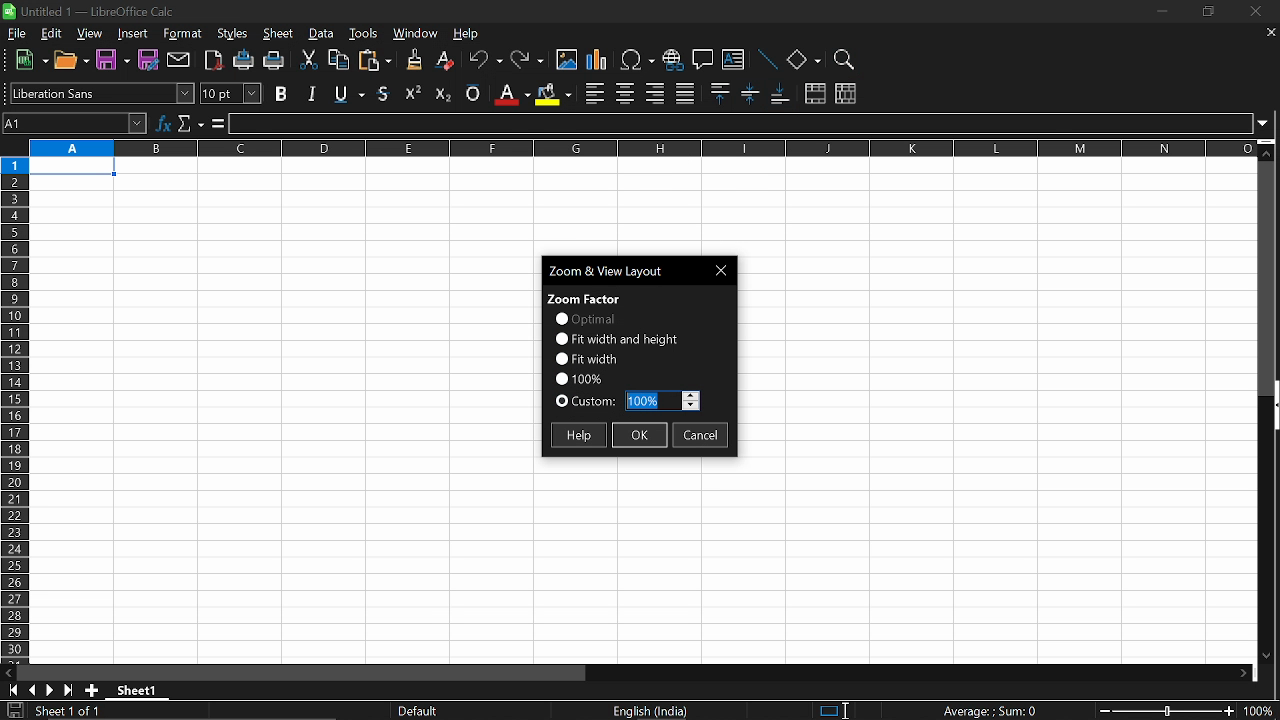 This screenshot has width=1280, height=720. What do you see at coordinates (486, 62) in the screenshot?
I see `undo` at bounding box center [486, 62].